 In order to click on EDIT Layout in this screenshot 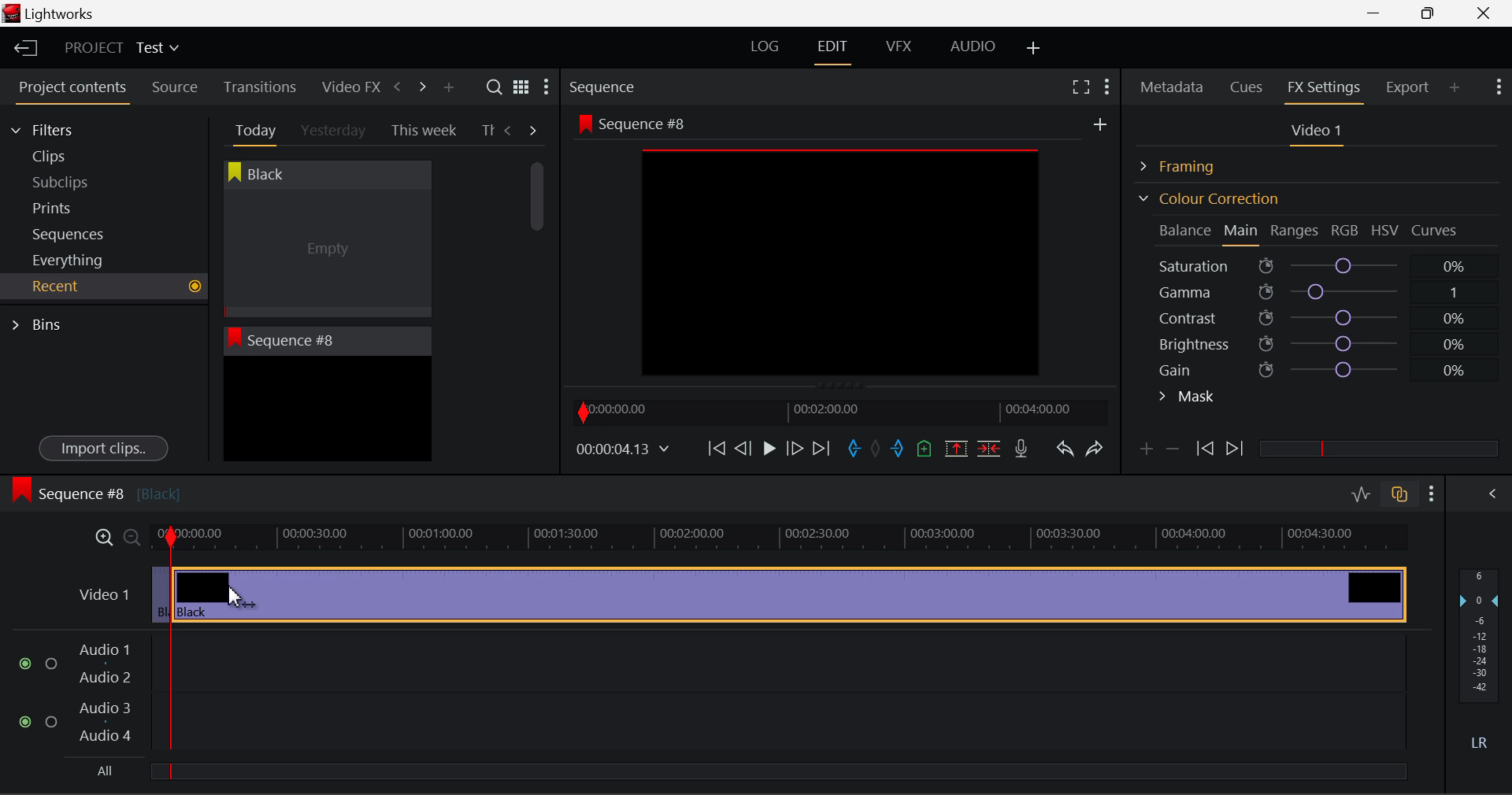, I will do `click(835, 50)`.